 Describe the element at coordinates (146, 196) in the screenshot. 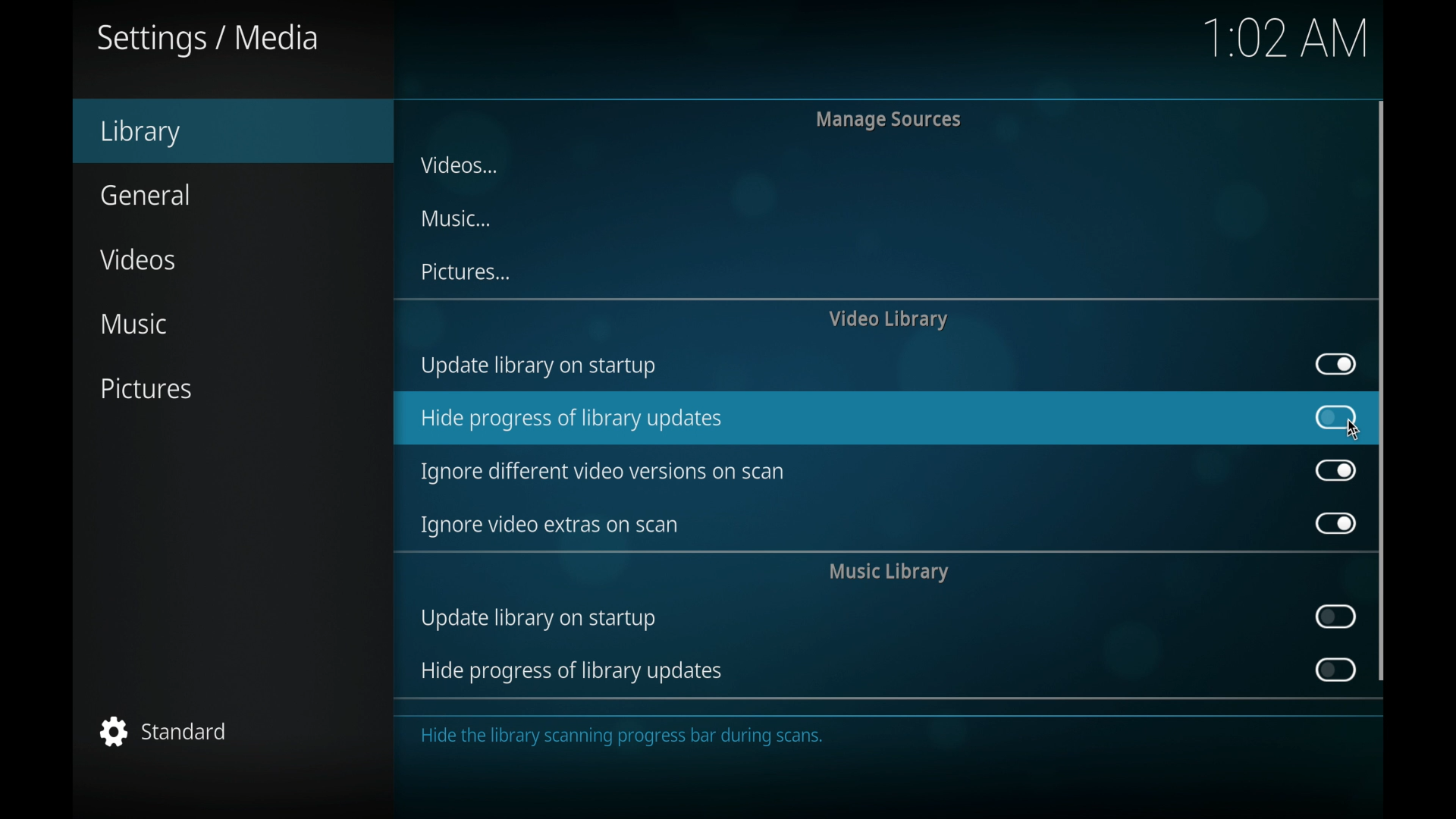

I see `general` at that location.